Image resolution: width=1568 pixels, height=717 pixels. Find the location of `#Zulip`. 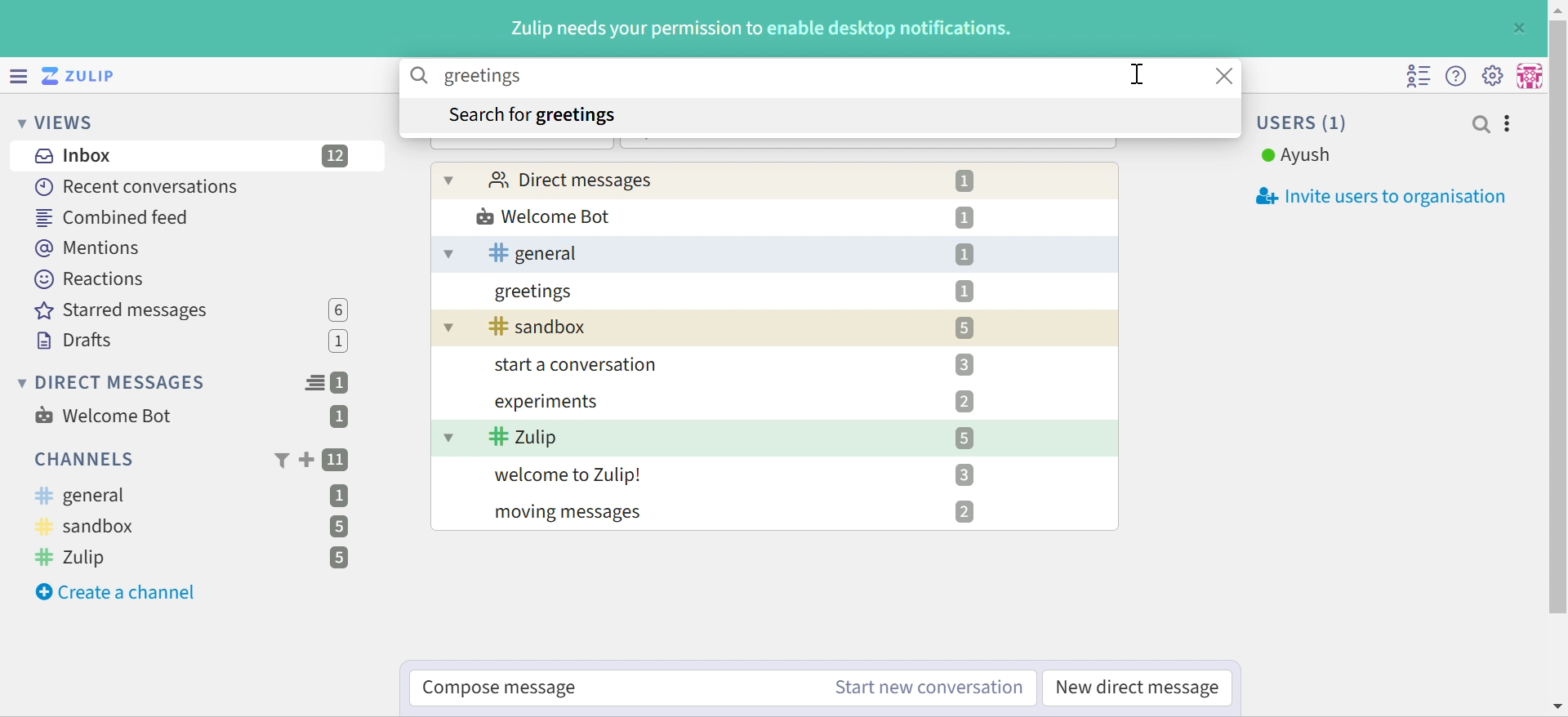

#Zulip is located at coordinates (523, 437).